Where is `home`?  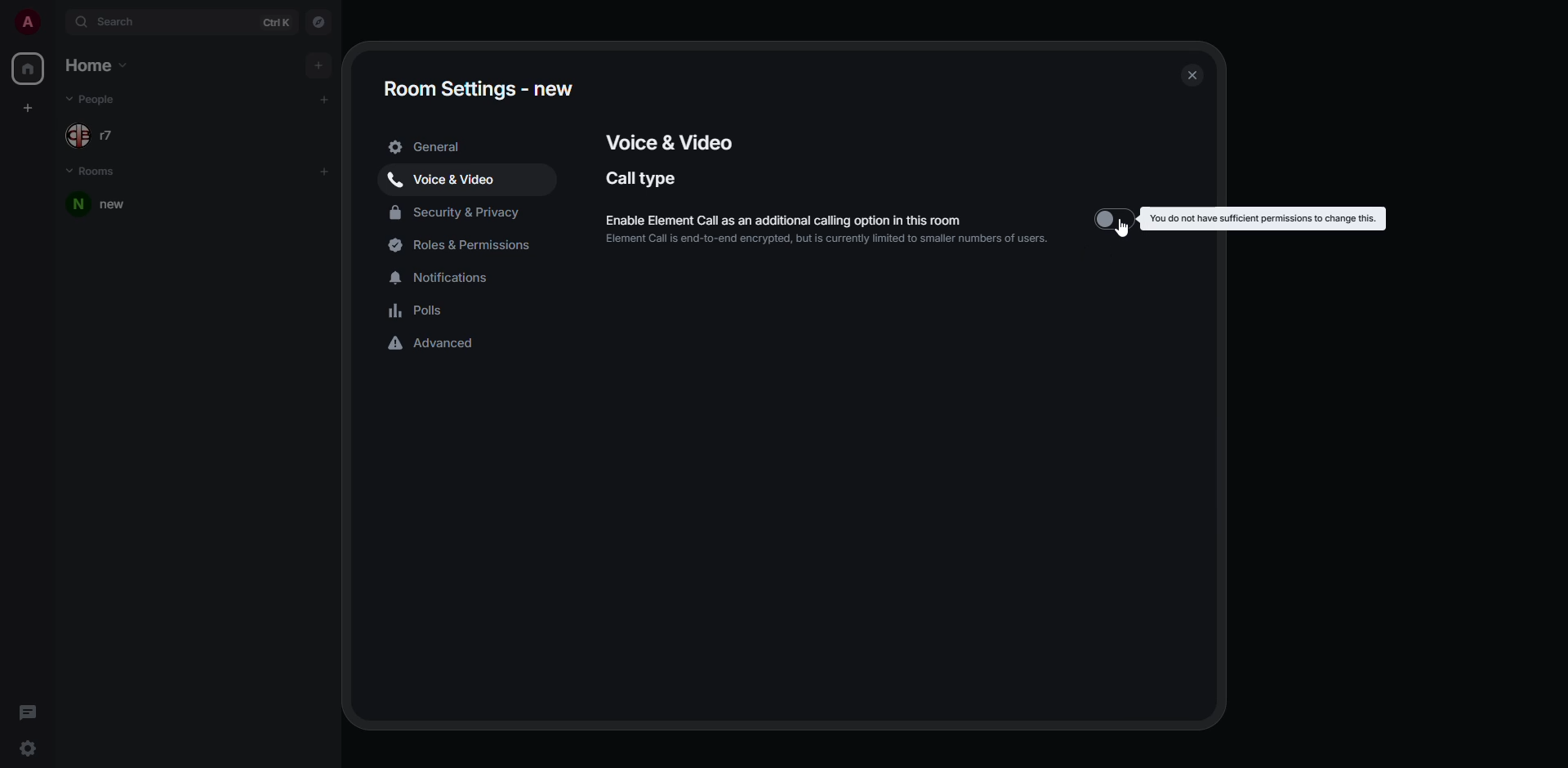
home is located at coordinates (26, 69).